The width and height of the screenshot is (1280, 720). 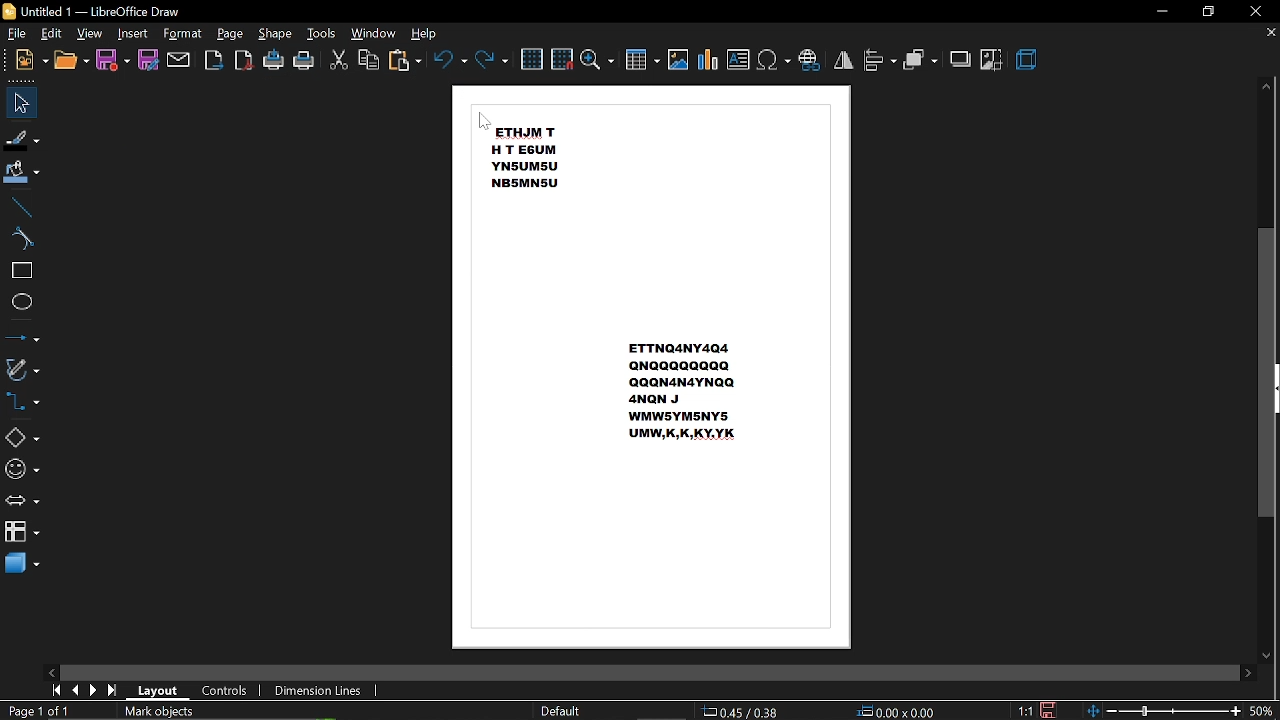 I want to click on align, so click(x=880, y=61).